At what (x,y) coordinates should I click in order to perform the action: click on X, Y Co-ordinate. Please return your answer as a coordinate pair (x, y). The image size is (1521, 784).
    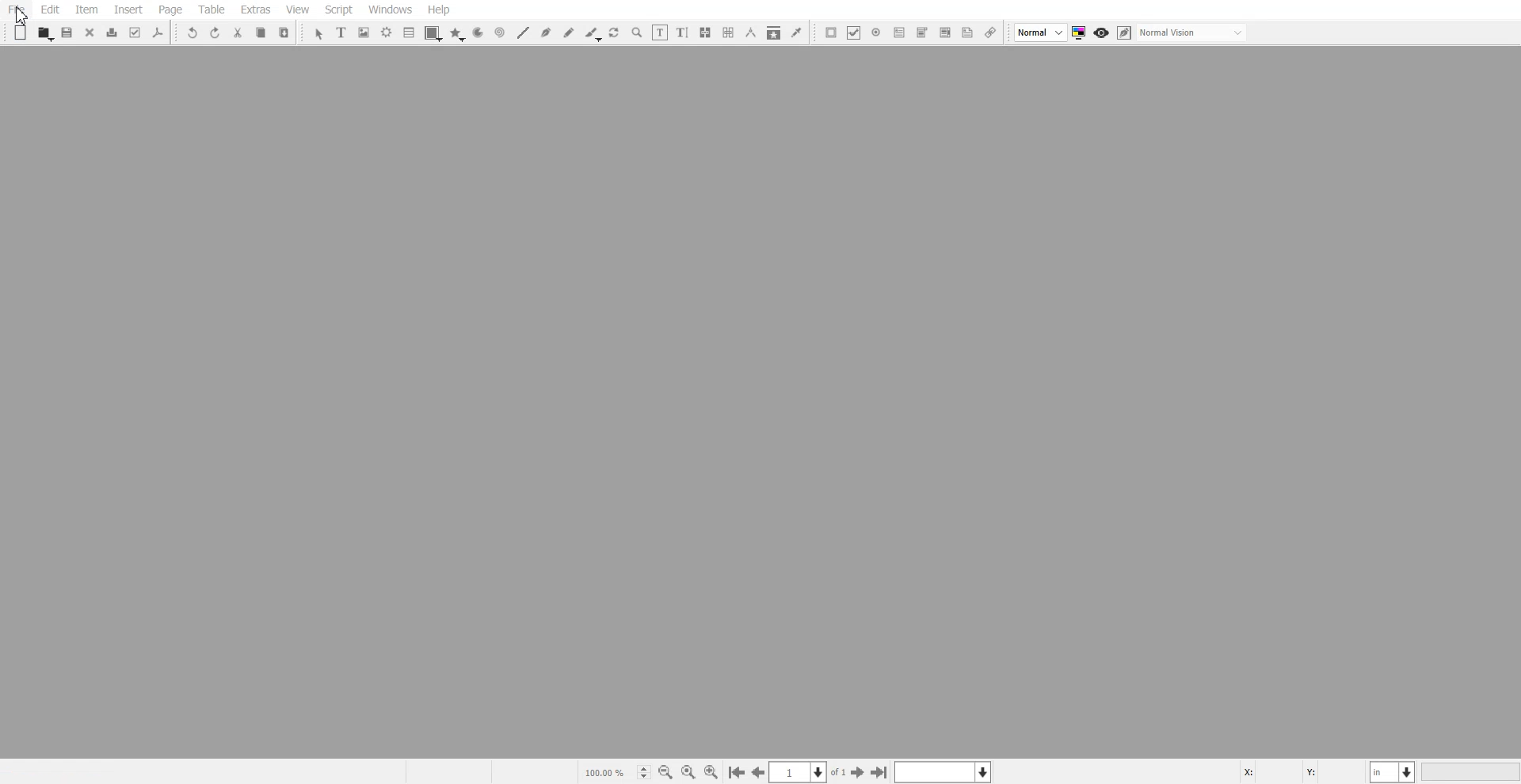
    Looking at the image, I should click on (1302, 771).